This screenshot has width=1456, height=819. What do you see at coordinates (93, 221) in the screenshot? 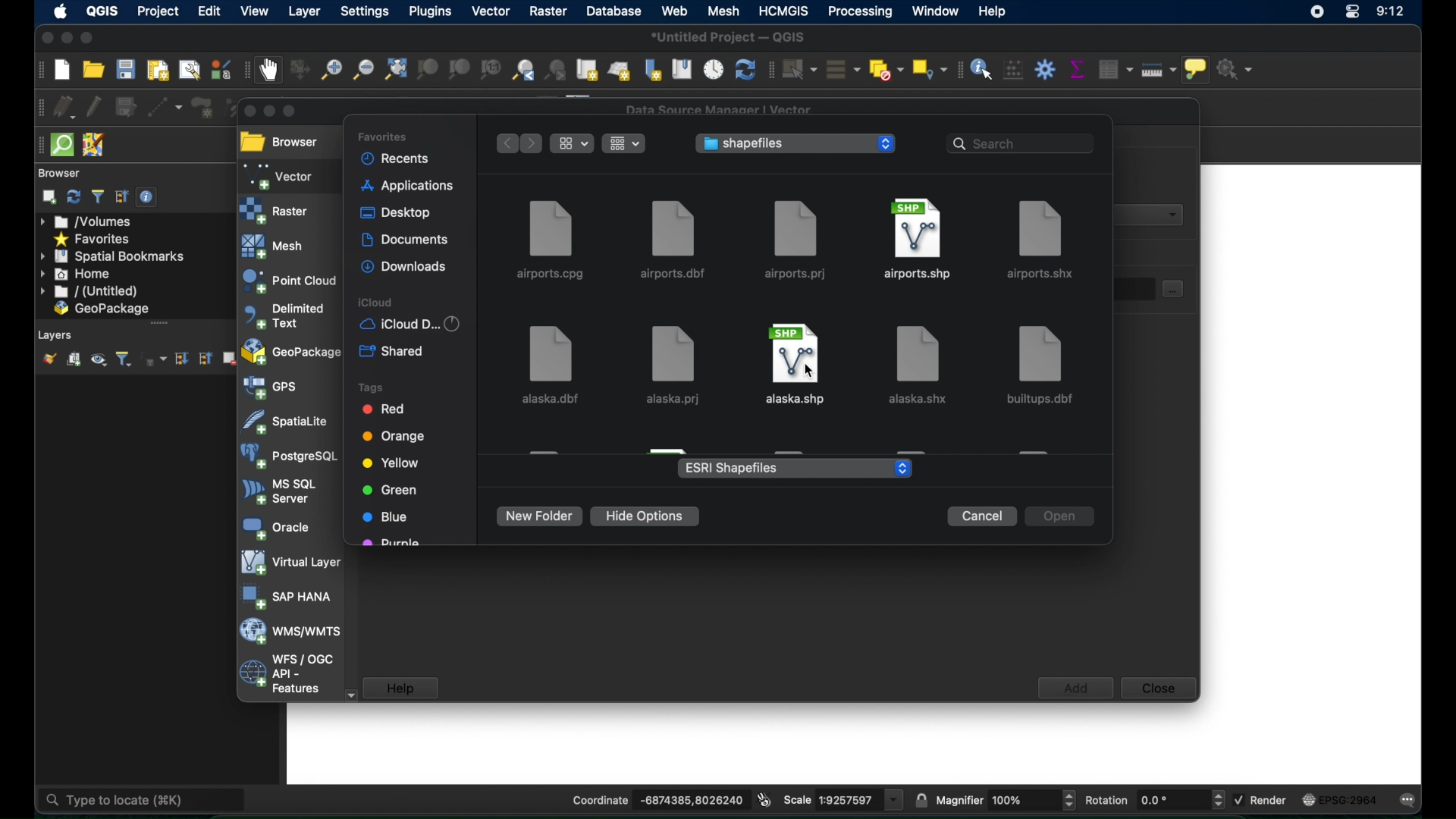
I see `volumes` at bounding box center [93, 221].